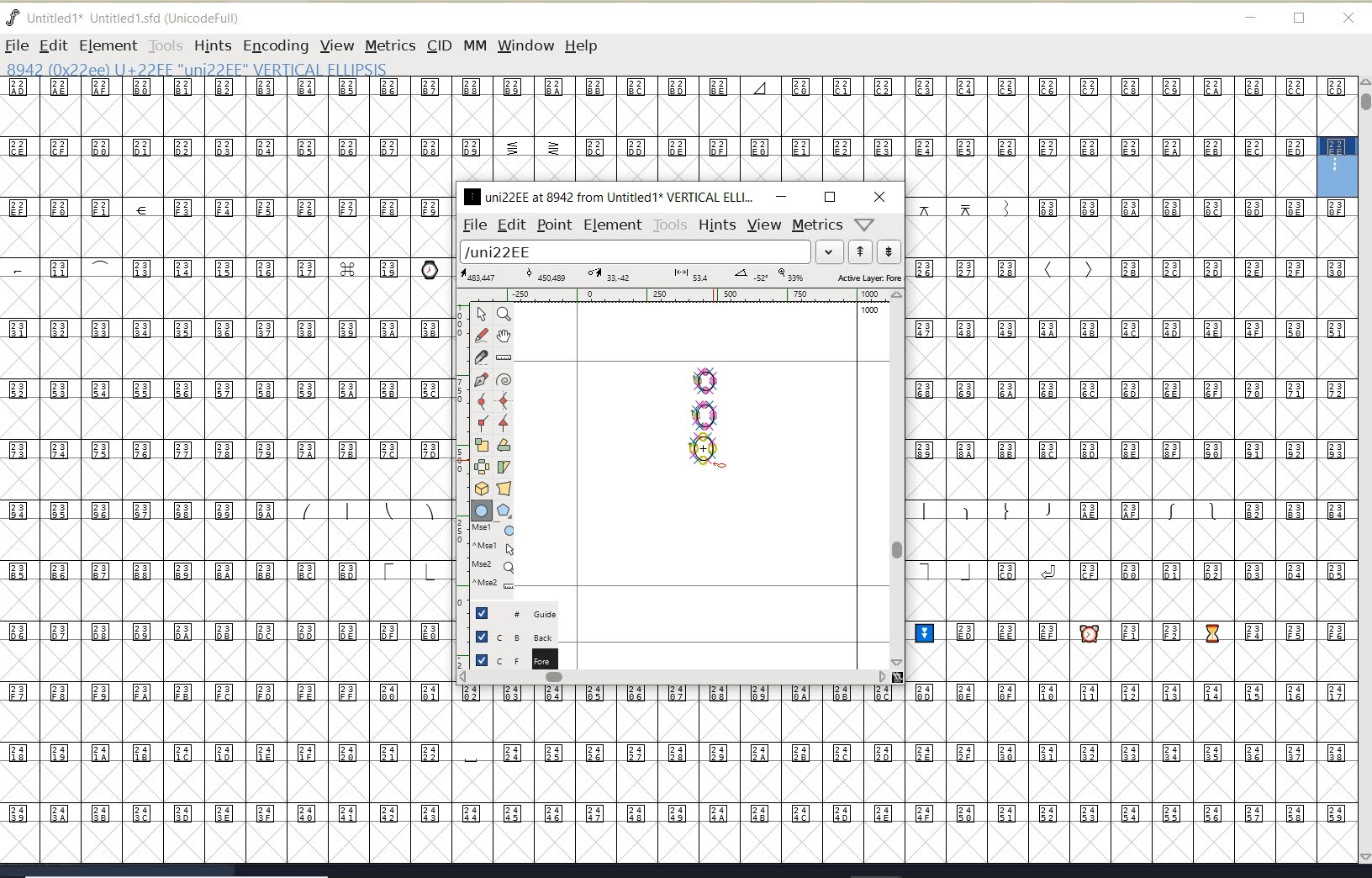 Image resolution: width=1372 pixels, height=878 pixels. I want to click on file, so click(472, 225).